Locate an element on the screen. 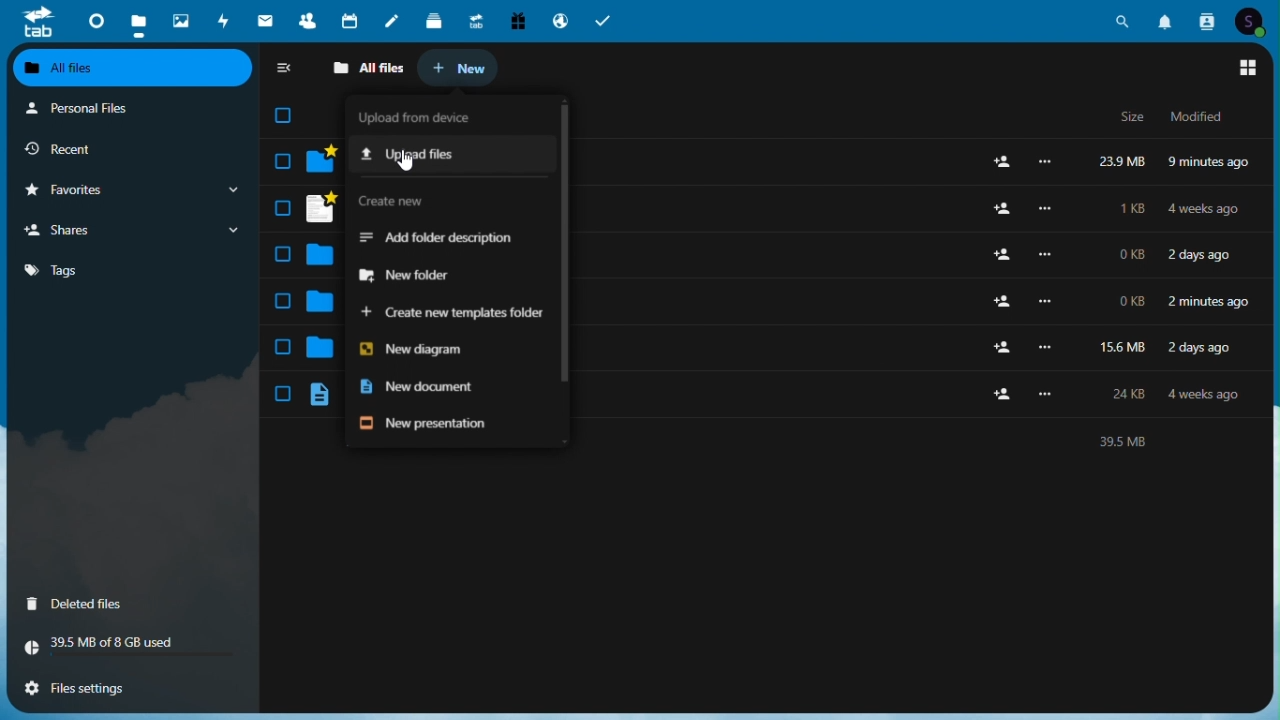  New is located at coordinates (461, 67).